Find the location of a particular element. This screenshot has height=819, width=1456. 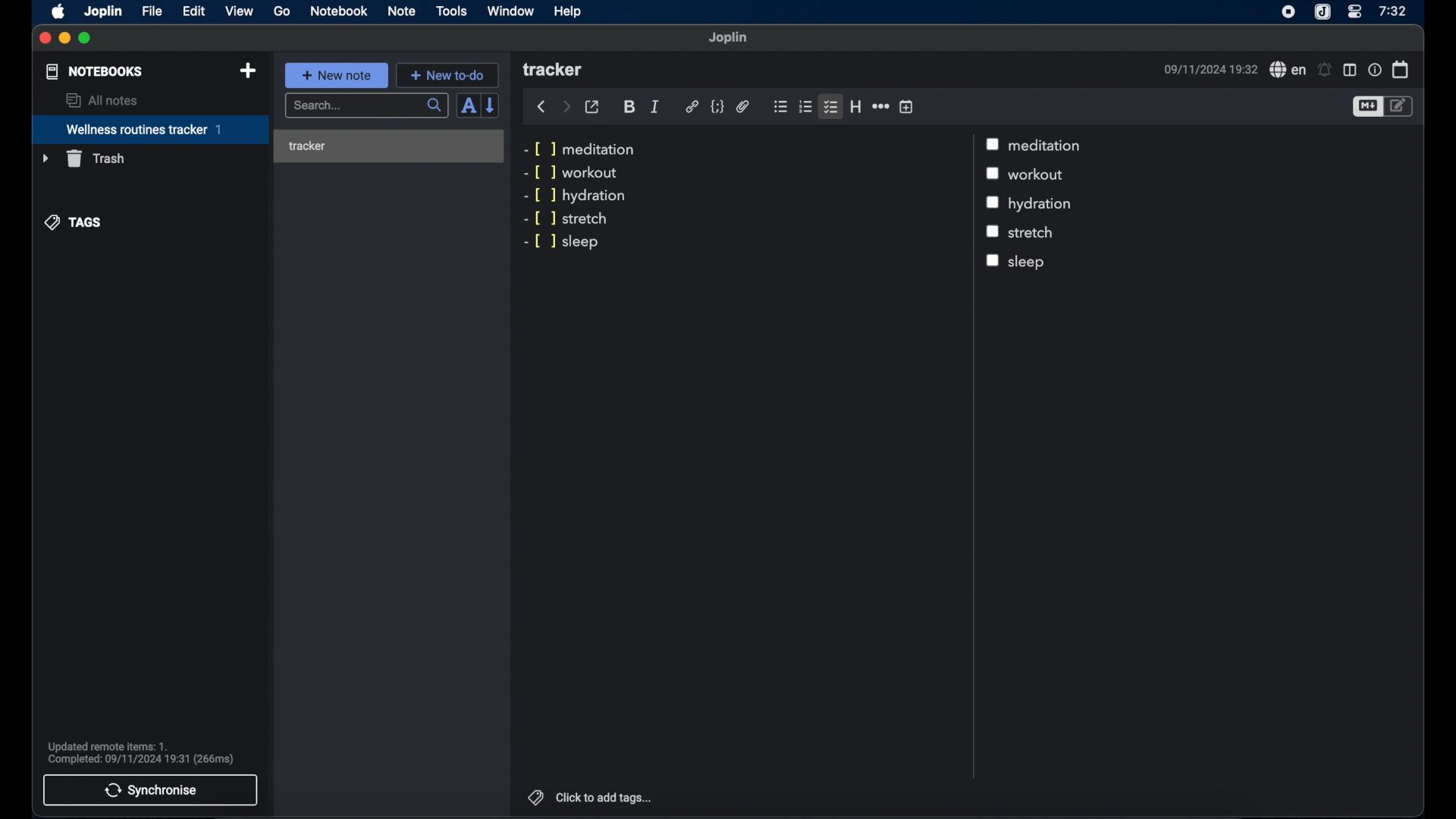

+ new to-do is located at coordinates (447, 74).